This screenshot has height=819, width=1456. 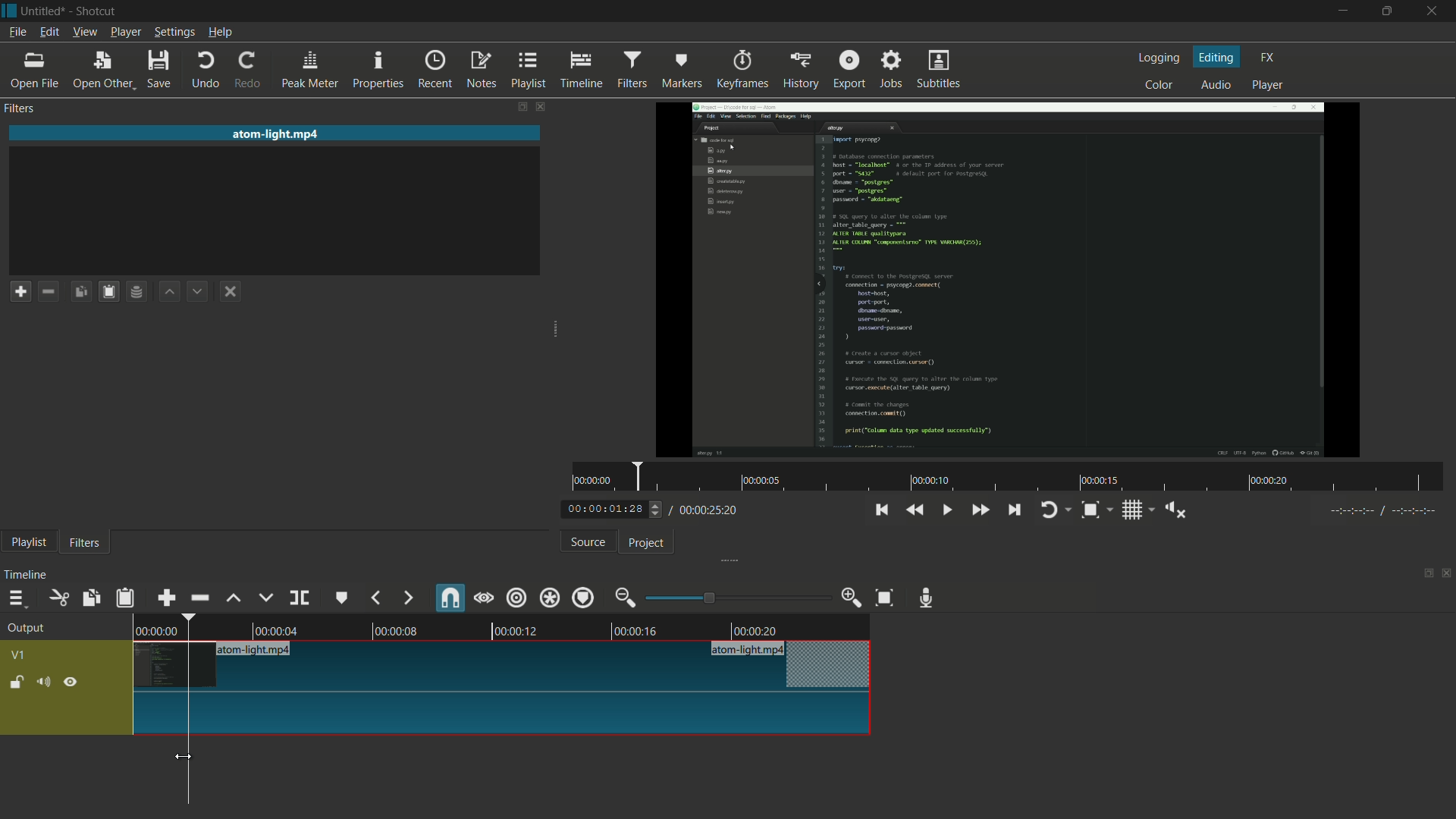 What do you see at coordinates (42, 681) in the screenshot?
I see `mute` at bounding box center [42, 681].